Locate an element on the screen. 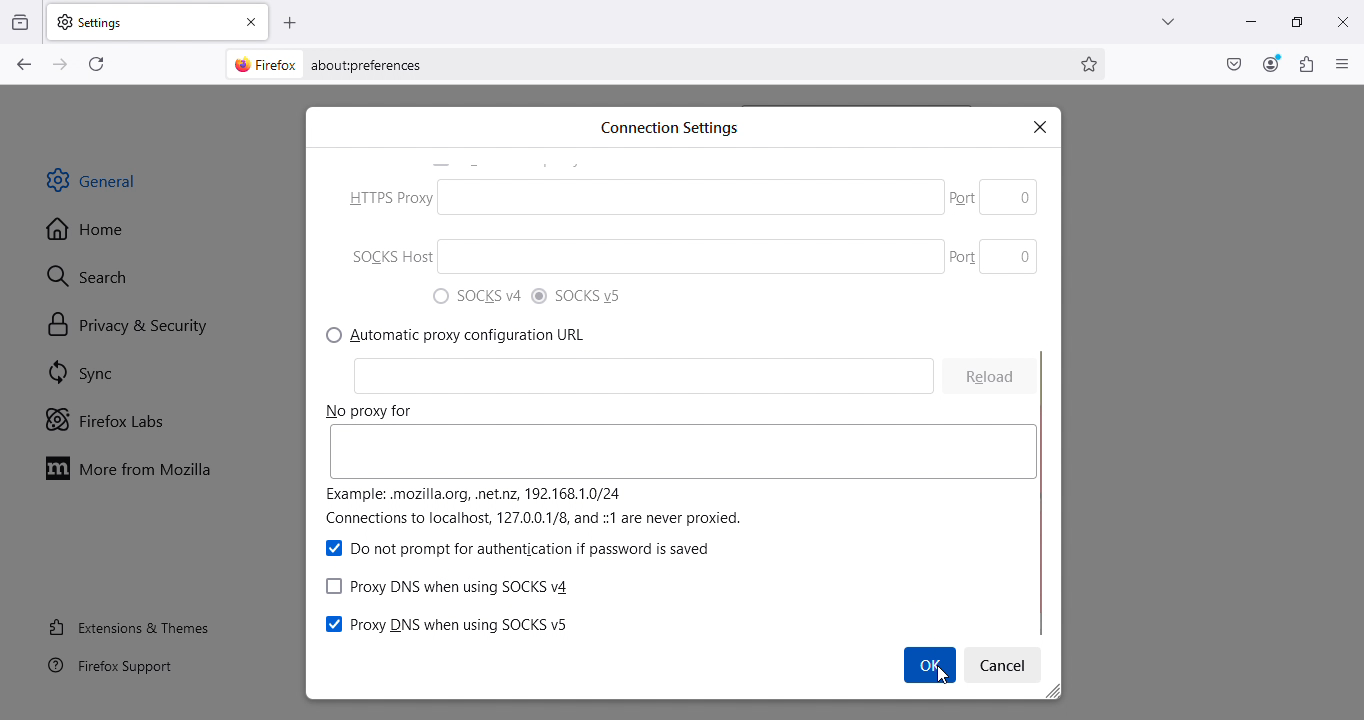 Image resolution: width=1364 pixels, height=720 pixels. Extensions and themes is located at coordinates (129, 630).